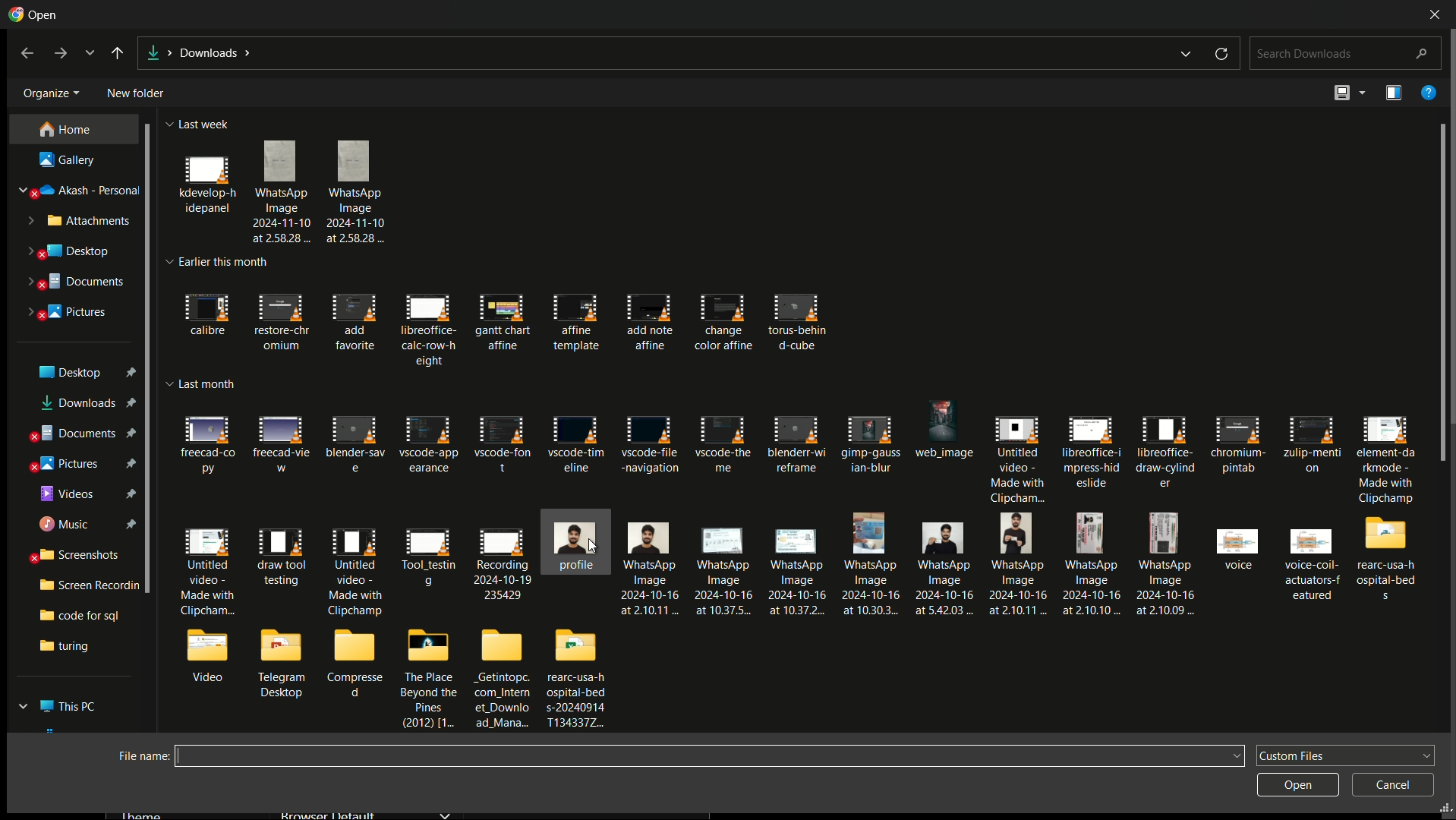  Describe the element at coordinates (90, 54) in the screenshot. I see `recent locations` at that location.